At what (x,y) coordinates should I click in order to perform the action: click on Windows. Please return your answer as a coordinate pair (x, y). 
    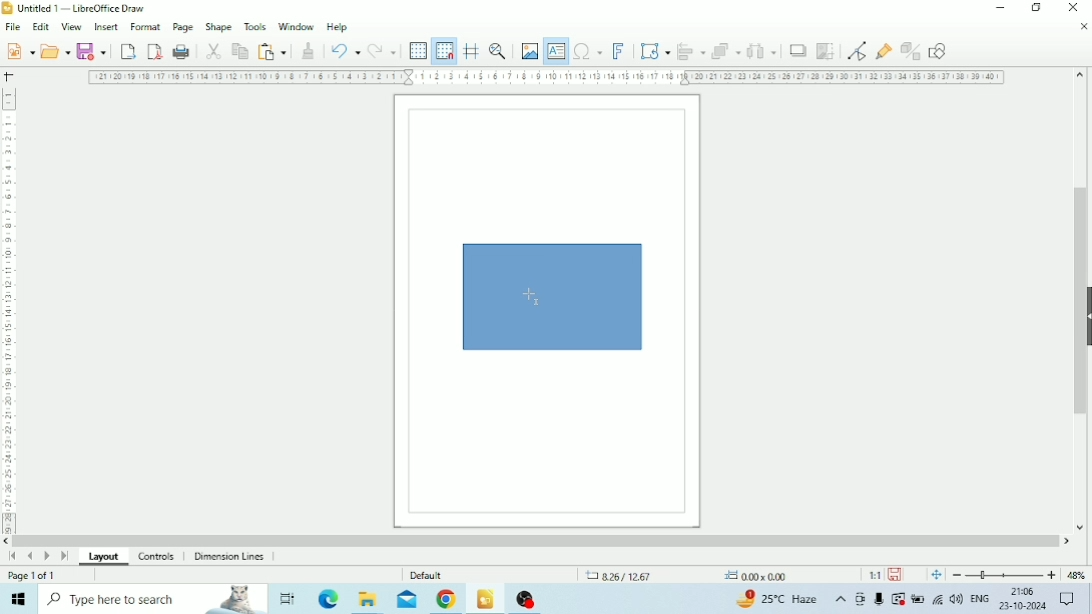
    Looking at the image, I should click on (20, 599).